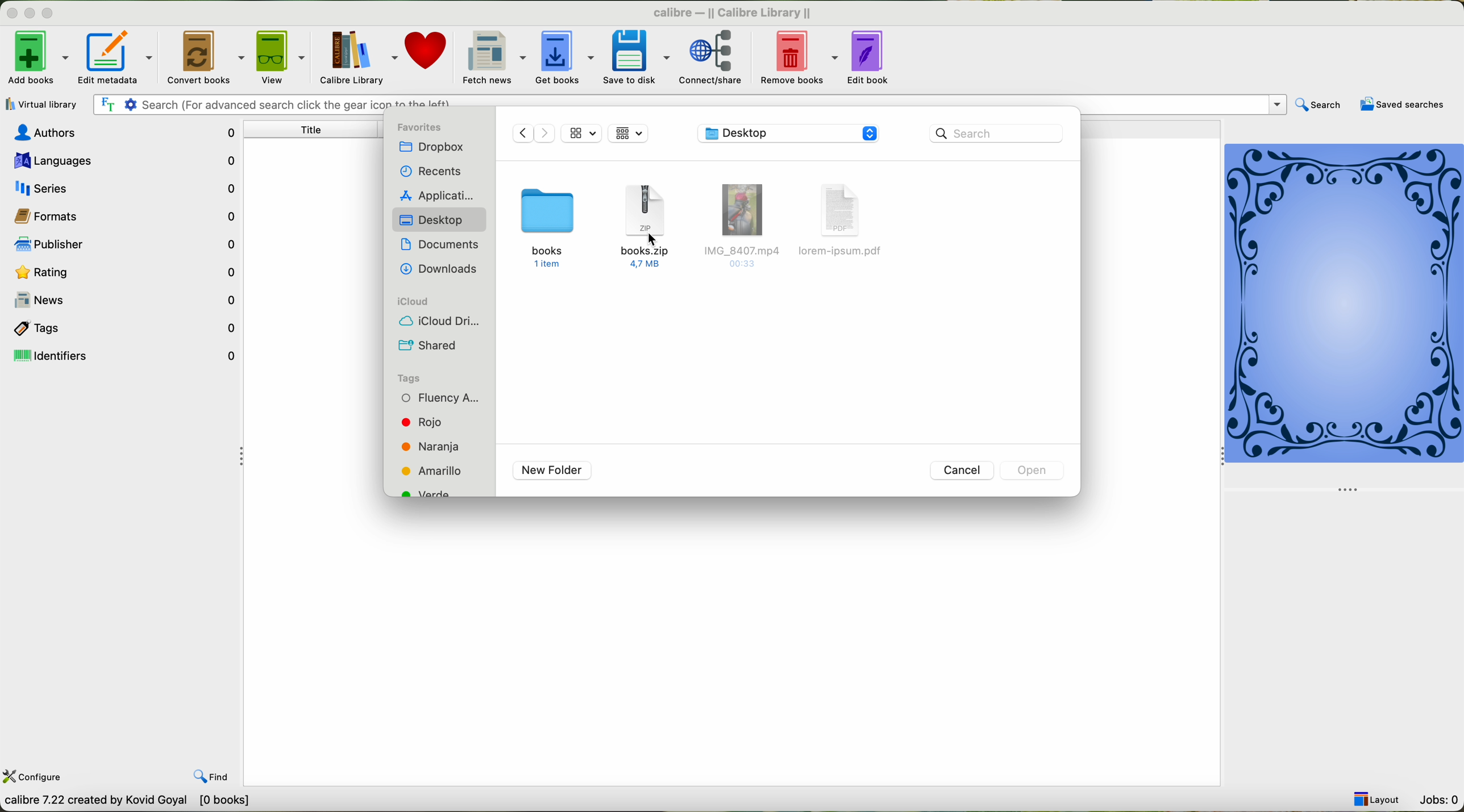 This screenshot has width=1464, height=812. What do you see at coordinates (582, 135) in the screenshot?
I see `icon` at bounding box center [582, 135].